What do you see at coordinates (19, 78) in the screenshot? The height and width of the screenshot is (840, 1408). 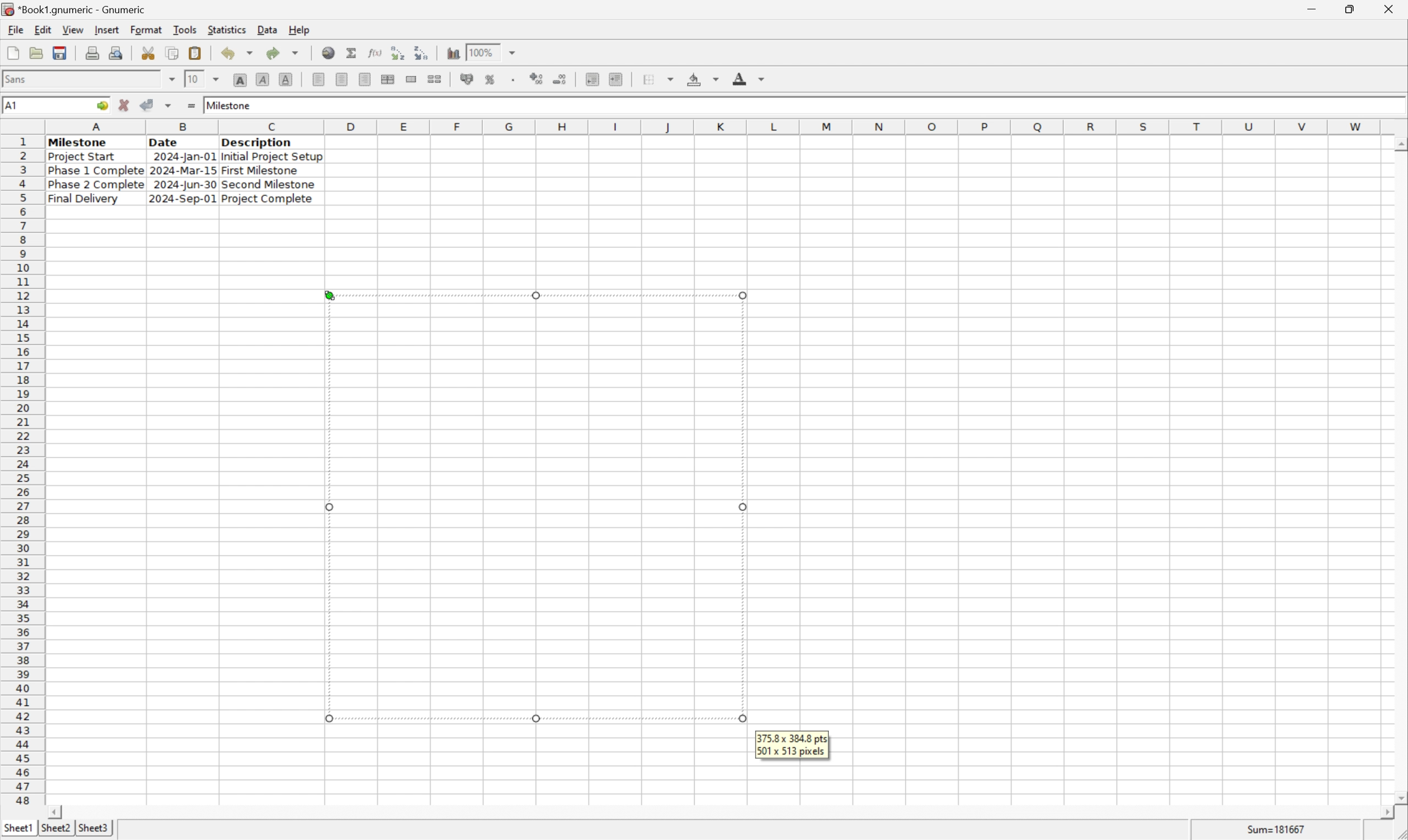 I see `Sans` at bounding box center [19, 78].